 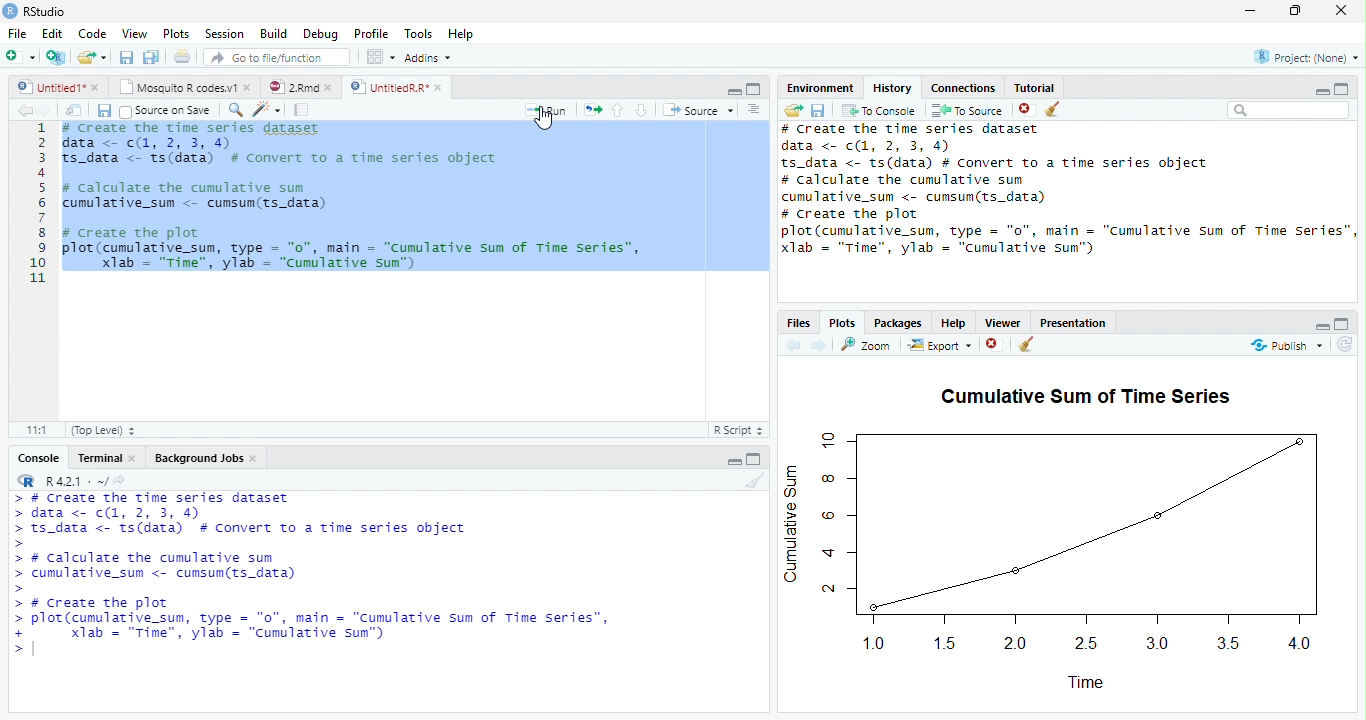 What do you see at coordinates (271, 35) in the screenshot?
I see `Build` at bounding box center [271, 35].